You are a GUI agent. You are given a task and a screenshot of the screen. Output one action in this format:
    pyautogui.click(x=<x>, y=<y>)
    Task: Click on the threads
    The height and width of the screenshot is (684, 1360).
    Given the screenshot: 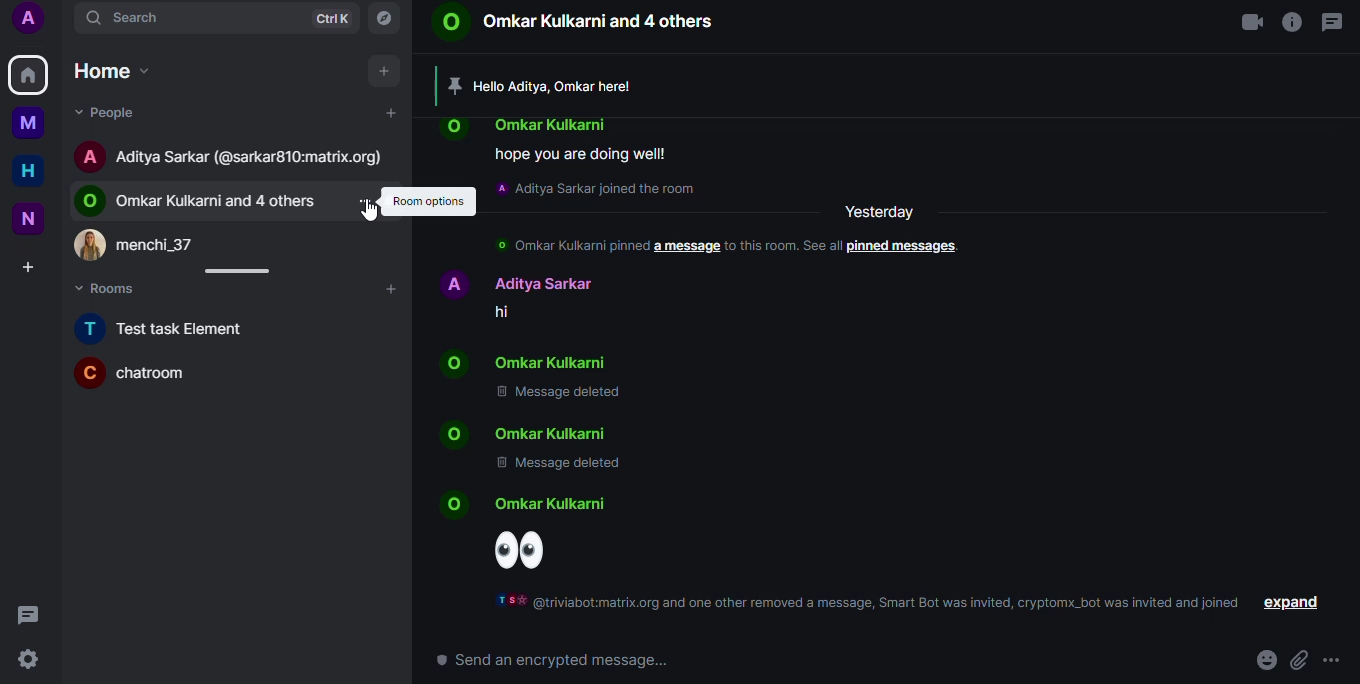 What is the action you would take?
    pyautogui.click(x=1334, y=21)
    